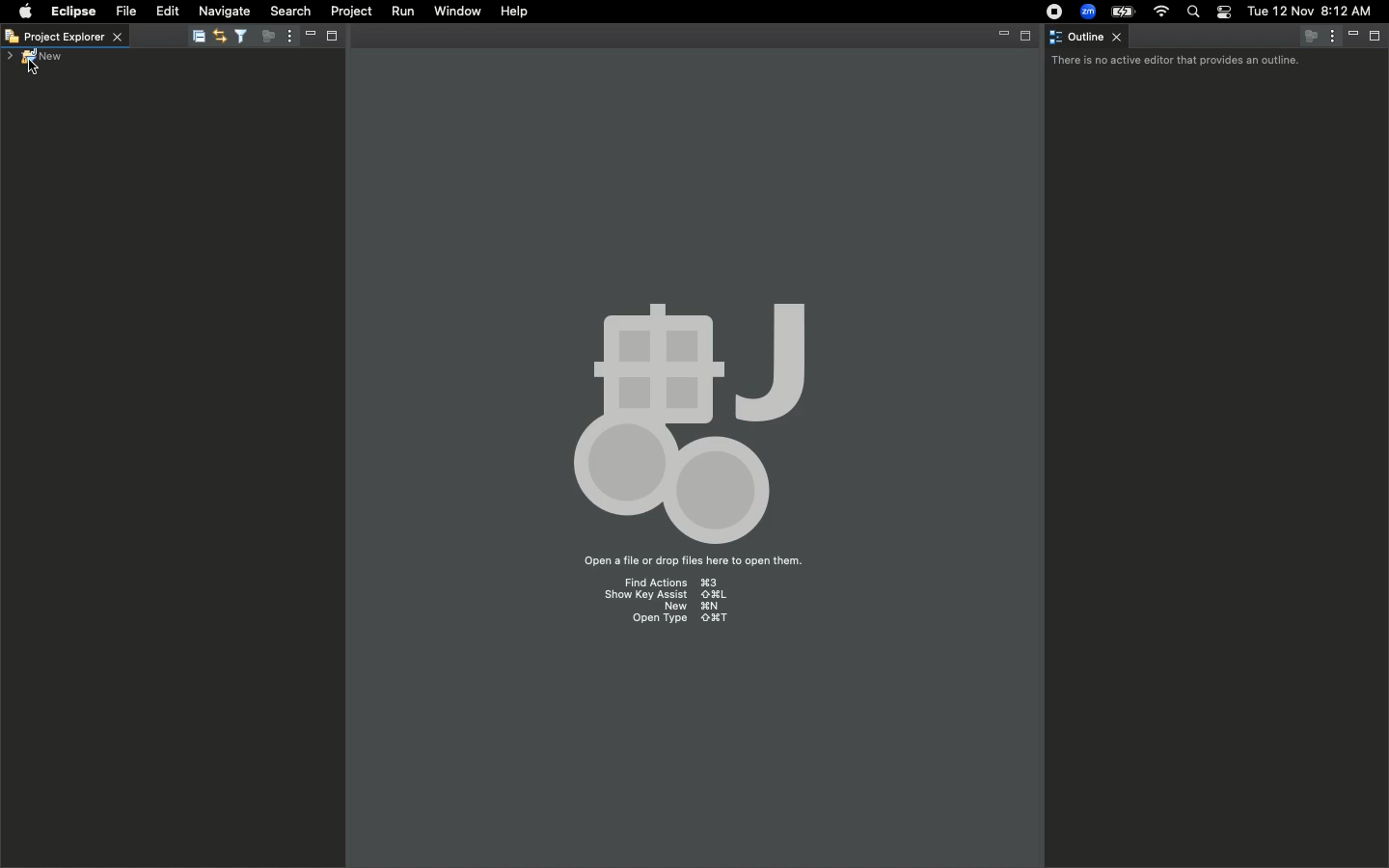 Image resolution: width=1389 pixels, height=868 pixels. Describe the element at coordinates (1312, 36) in the screenshot. I see `Focus` at that location.